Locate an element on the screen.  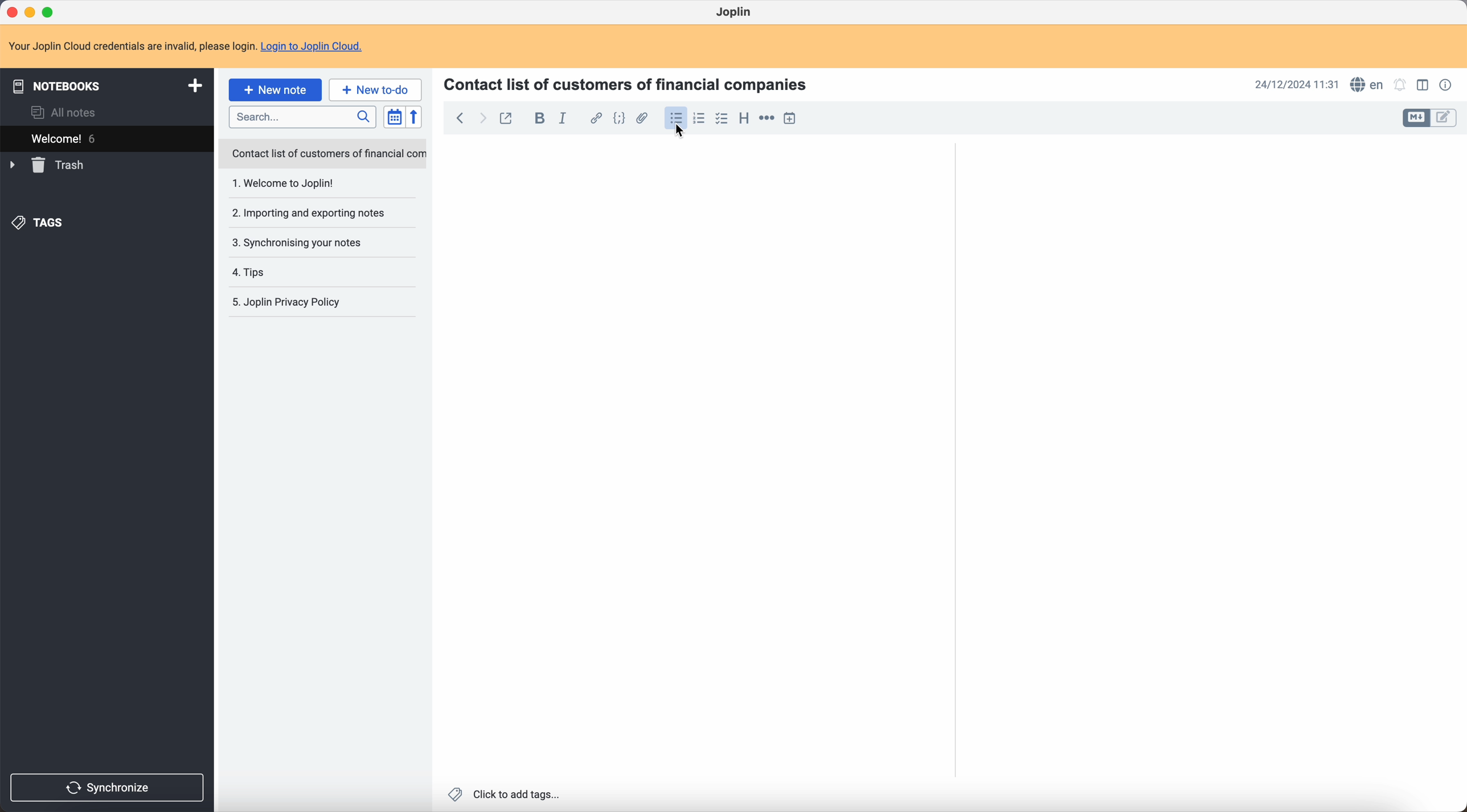
synchronize is located at coordinates (108, 788).